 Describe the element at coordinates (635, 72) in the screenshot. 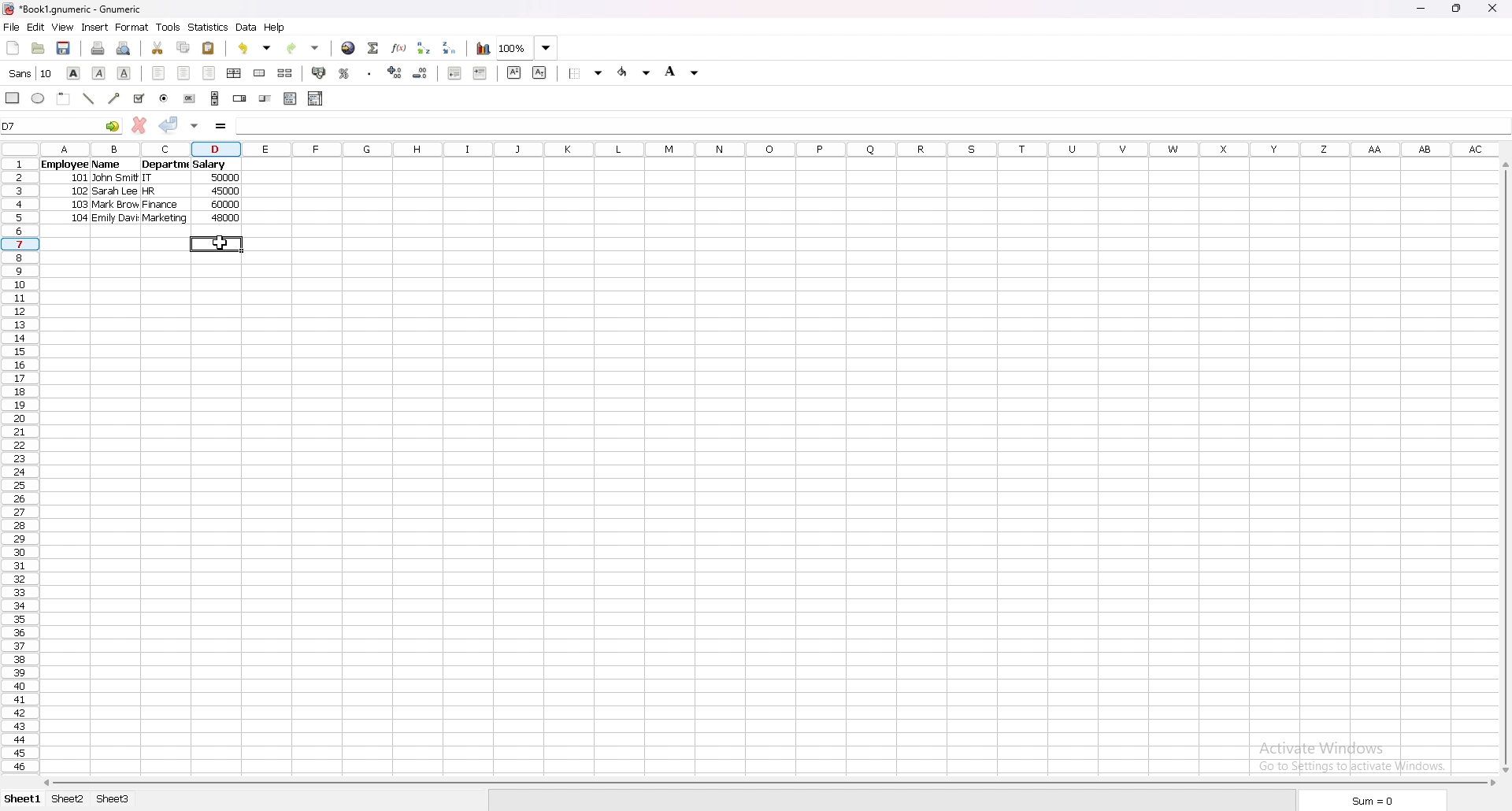

I see `foreground` at that location.